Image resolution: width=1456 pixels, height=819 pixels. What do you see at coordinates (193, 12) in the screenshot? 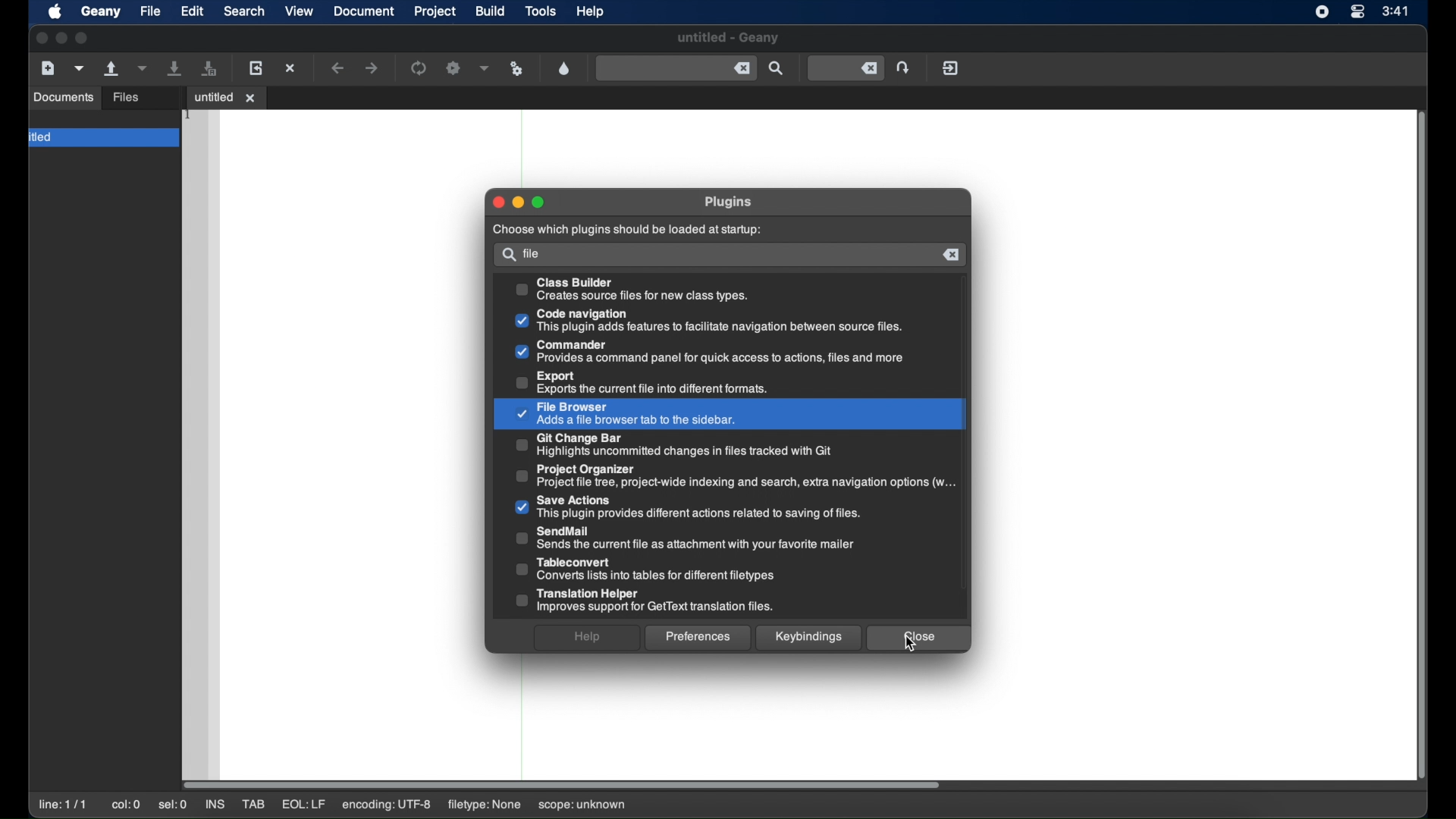
I see `edit` at bounding box center [193, 12].